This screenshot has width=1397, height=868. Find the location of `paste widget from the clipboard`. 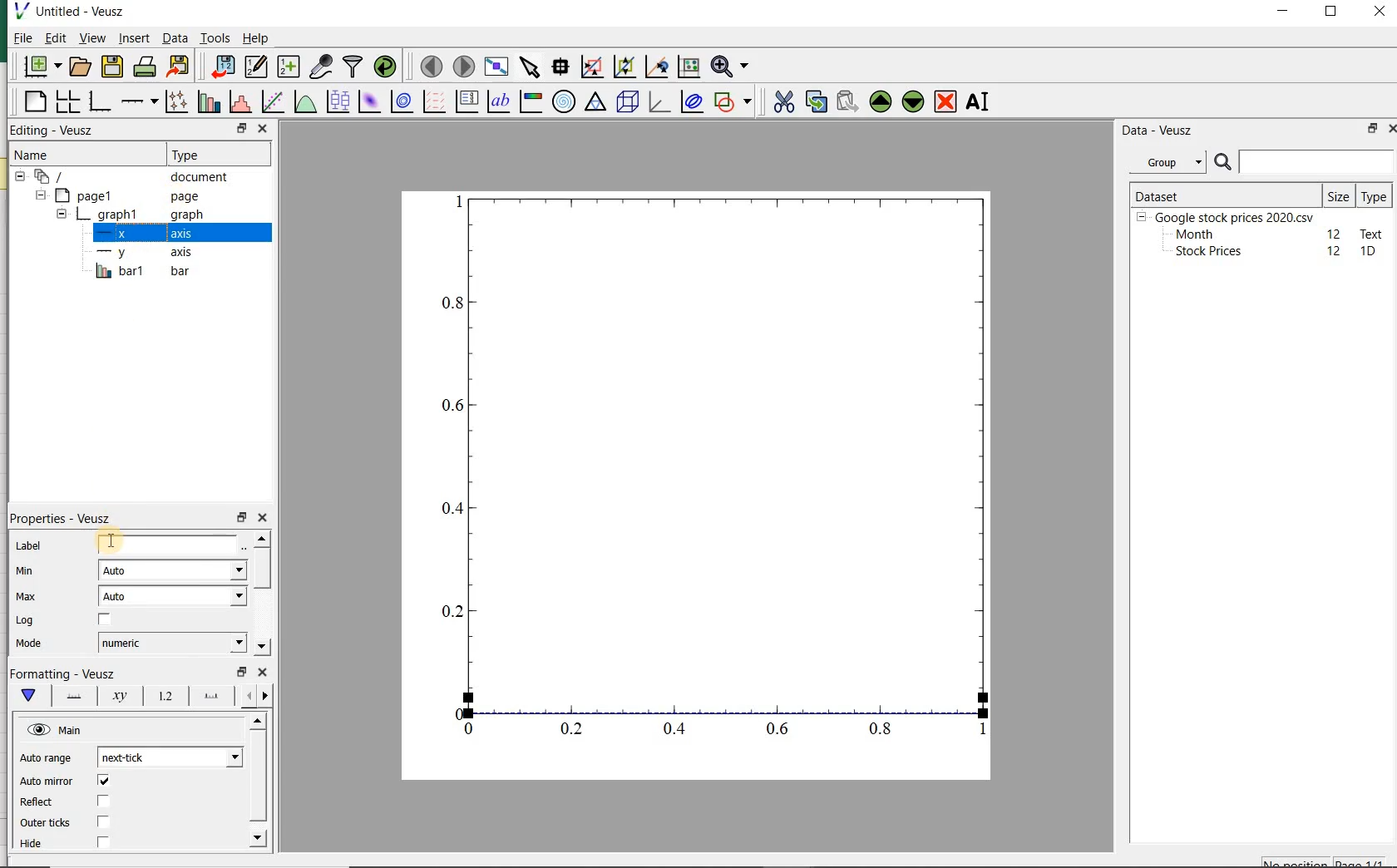

paste widget from the clipboard is located at coordinates (847, 102).